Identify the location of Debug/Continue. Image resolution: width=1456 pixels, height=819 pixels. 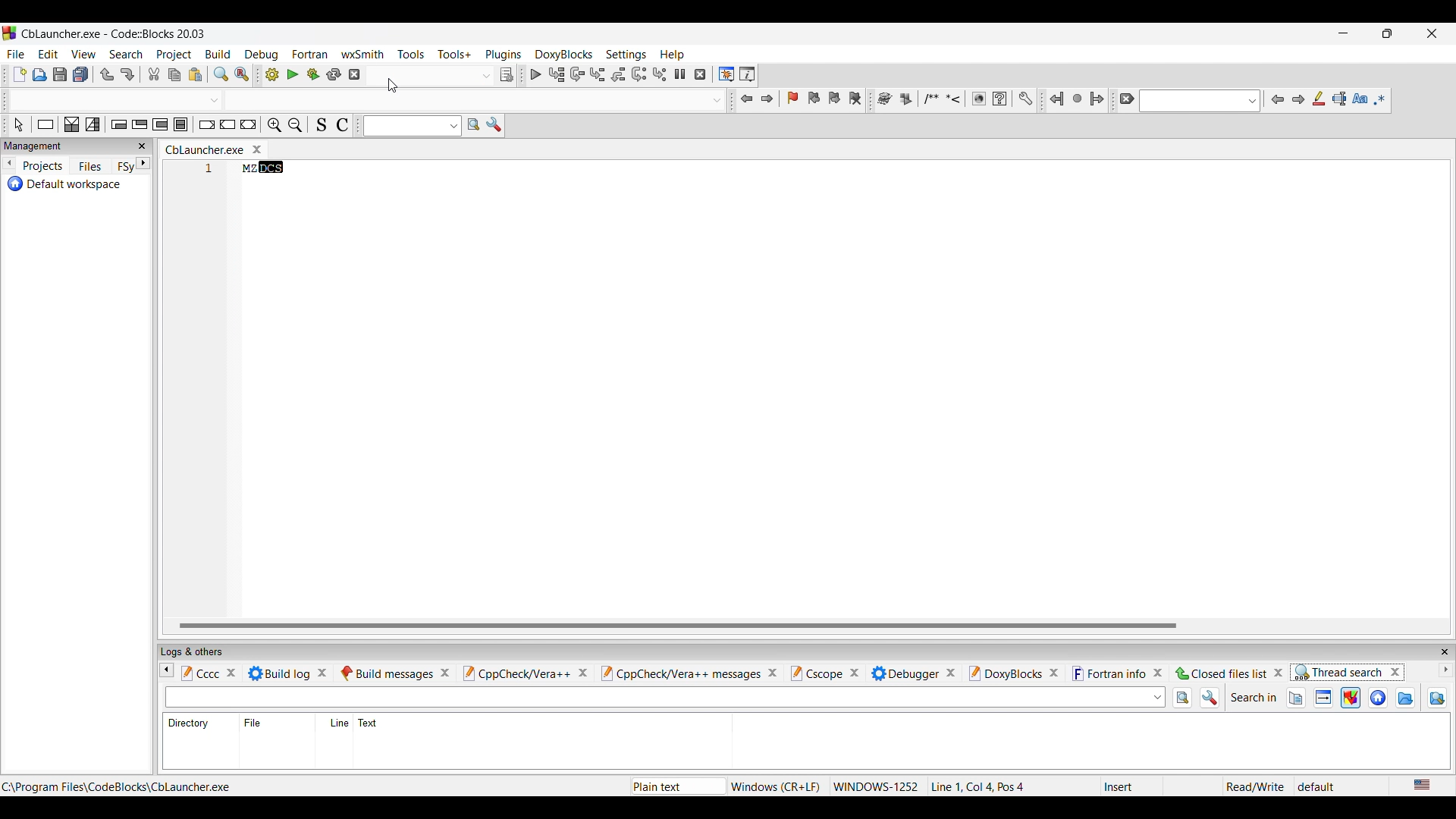
(536, 74).